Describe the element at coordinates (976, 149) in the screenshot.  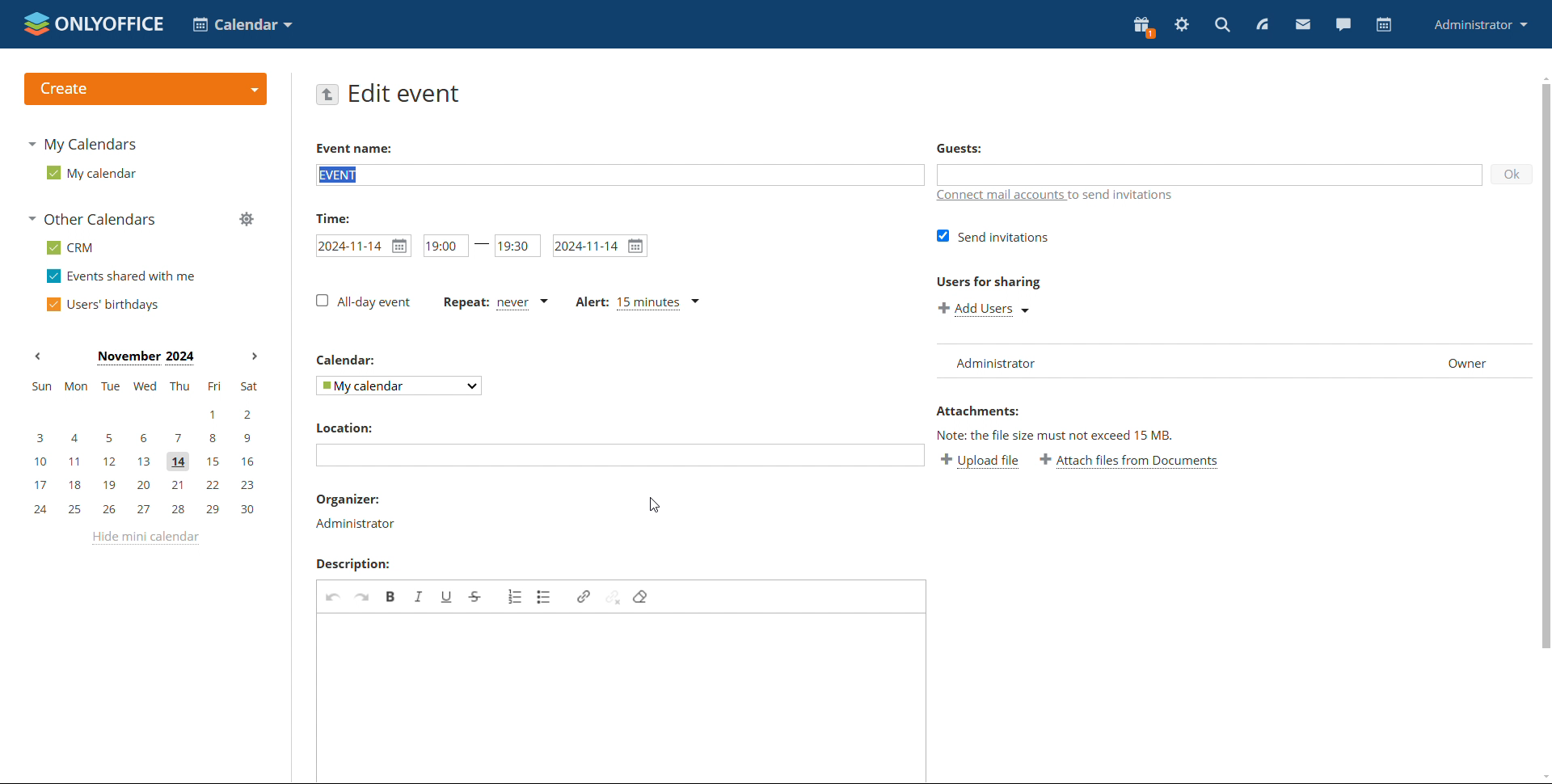
I see `guests` at that location.